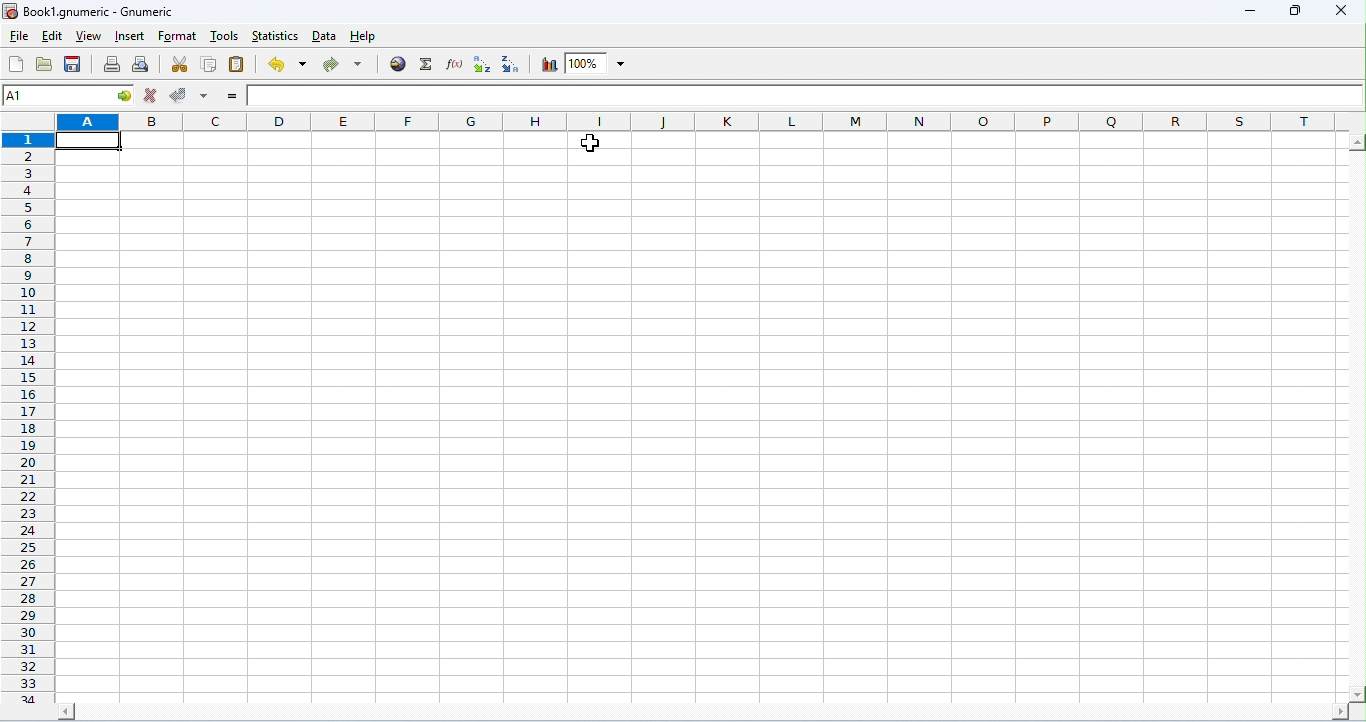 This screenshot has height=722, width=1366. Describe the element at coordinates (326, 36) in the screenshot. I see `data` at that location.